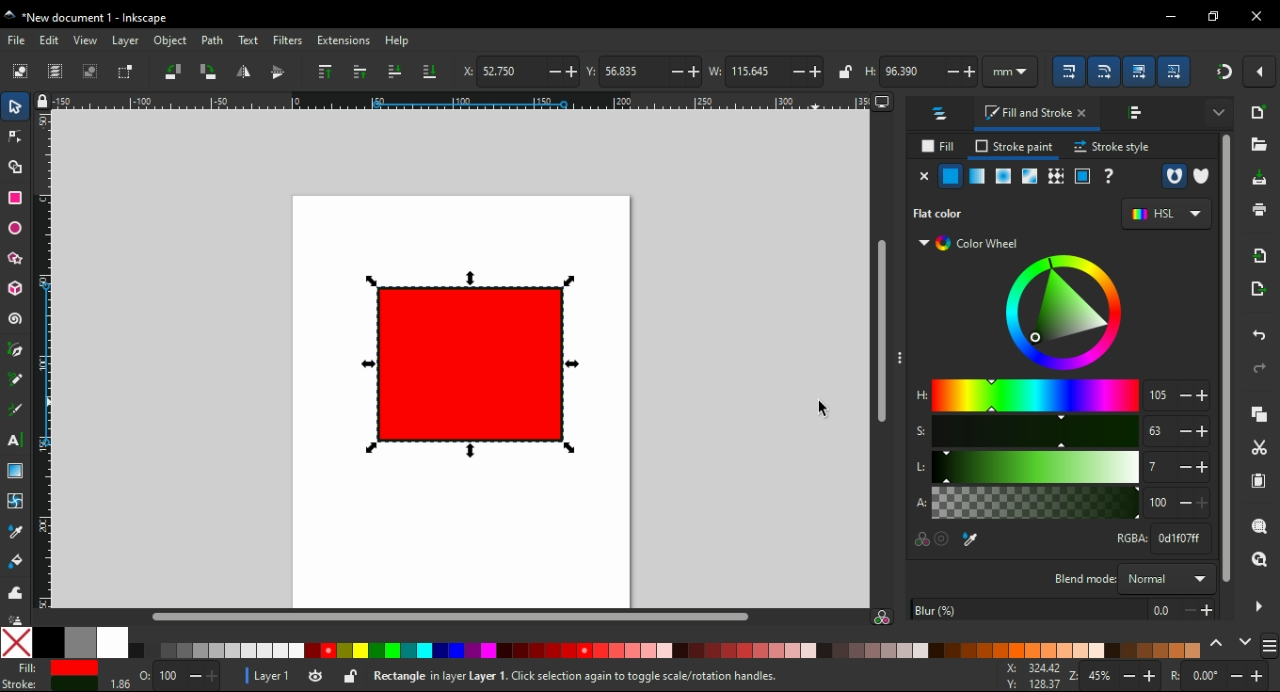 Image resolution: width=1280 pixels, height=692 pixels. Describe the element at coordinates (1129, 538) in the screenshot. I see `RGBA code` at that location.